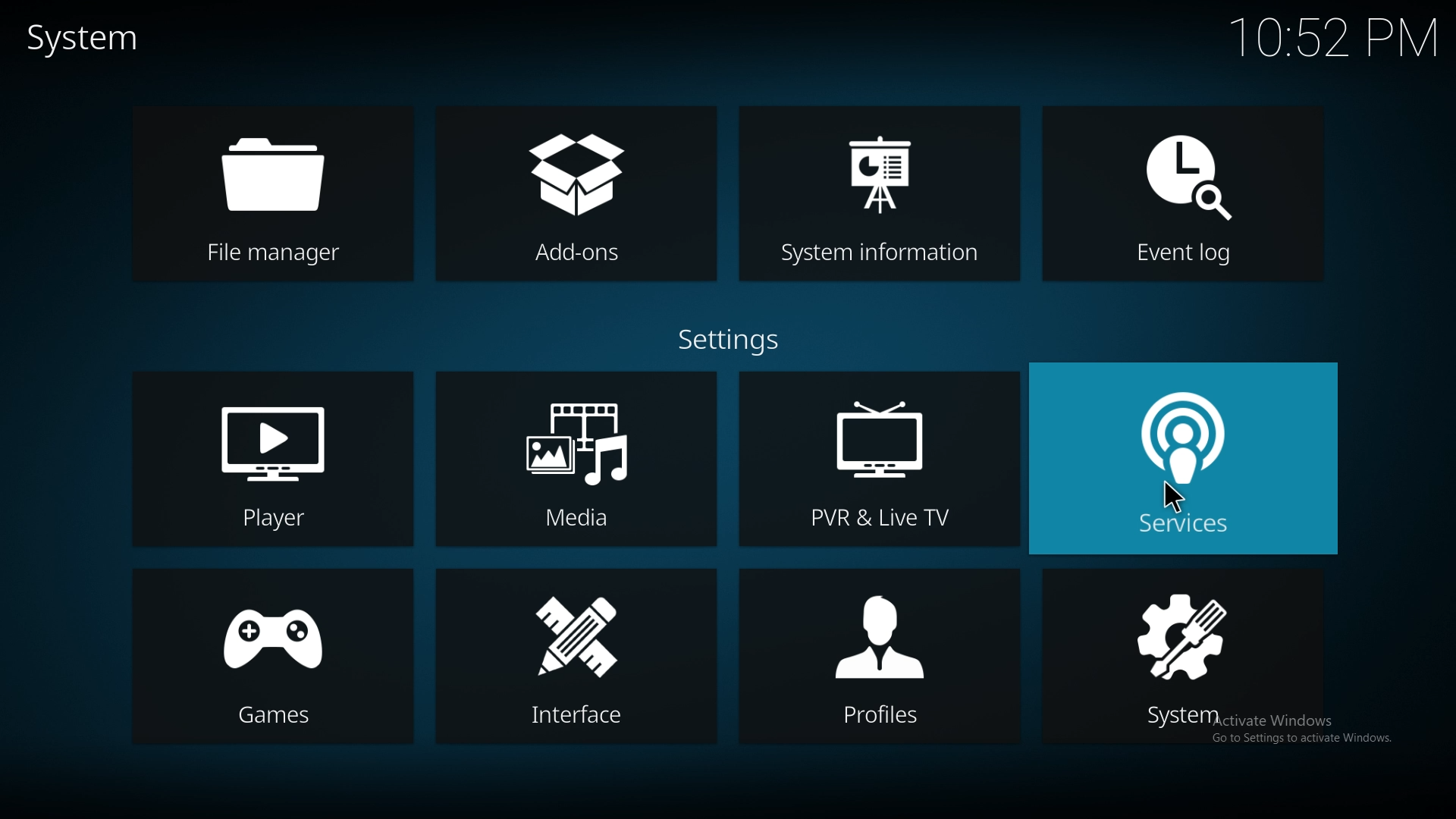 Image resolution: width=1456 pixels, height=819 pixels. What do you see at coordinates (1183, 657) in the screenshot?
I see `system` at bounding box center [1183, 657].